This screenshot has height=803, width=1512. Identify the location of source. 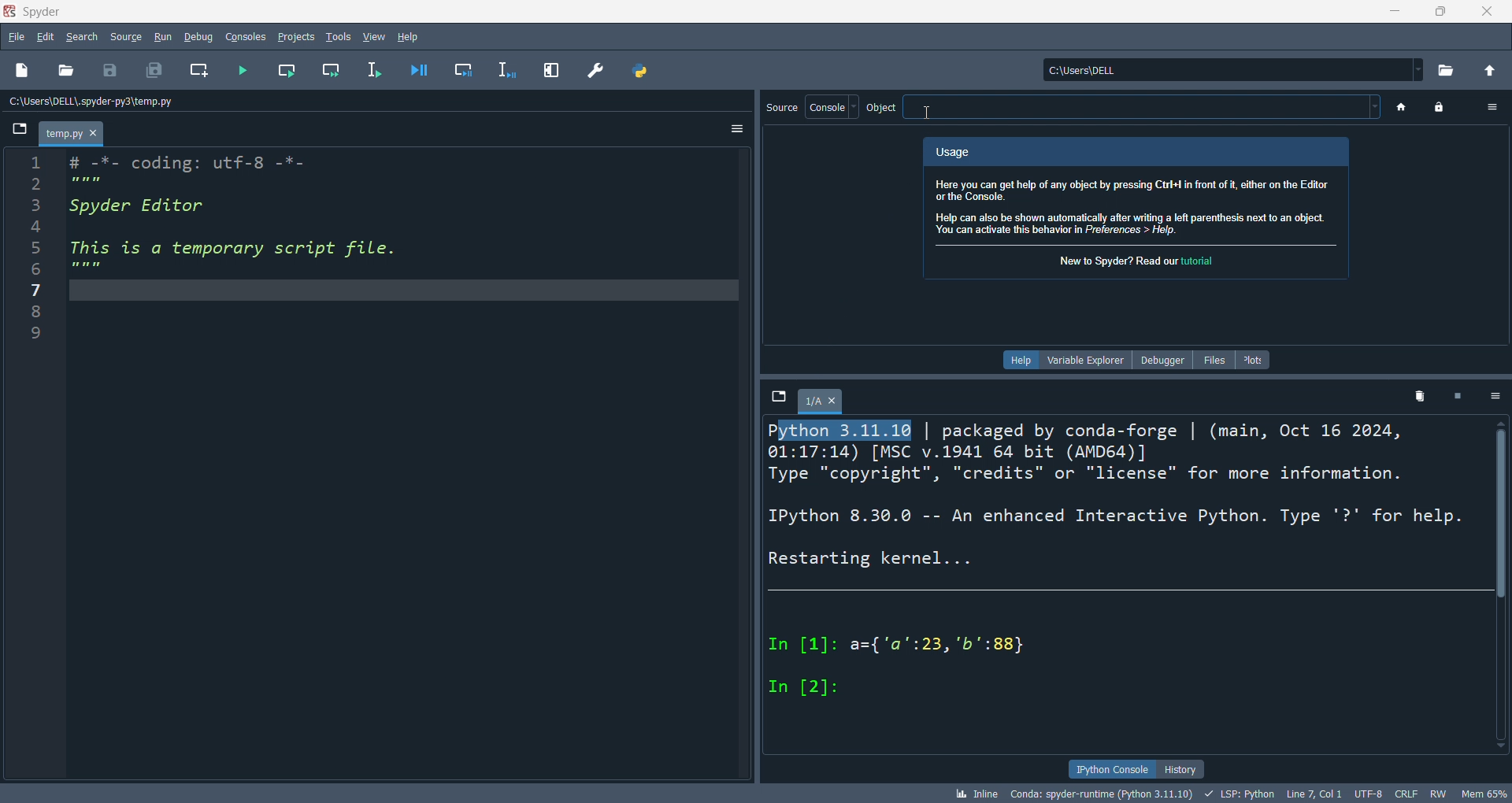
(782, 107).